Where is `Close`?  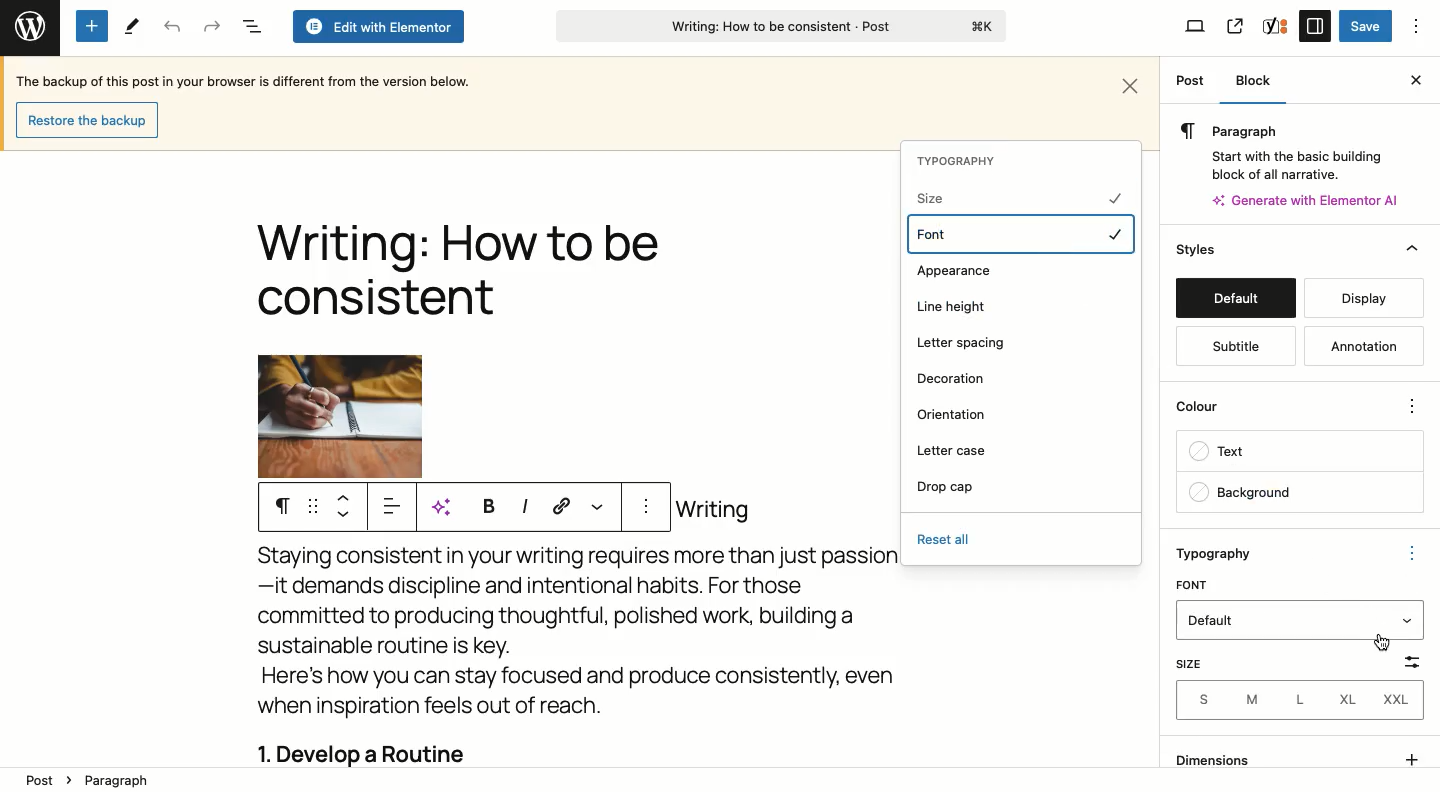 Close is located at coordinates (1132, 83).